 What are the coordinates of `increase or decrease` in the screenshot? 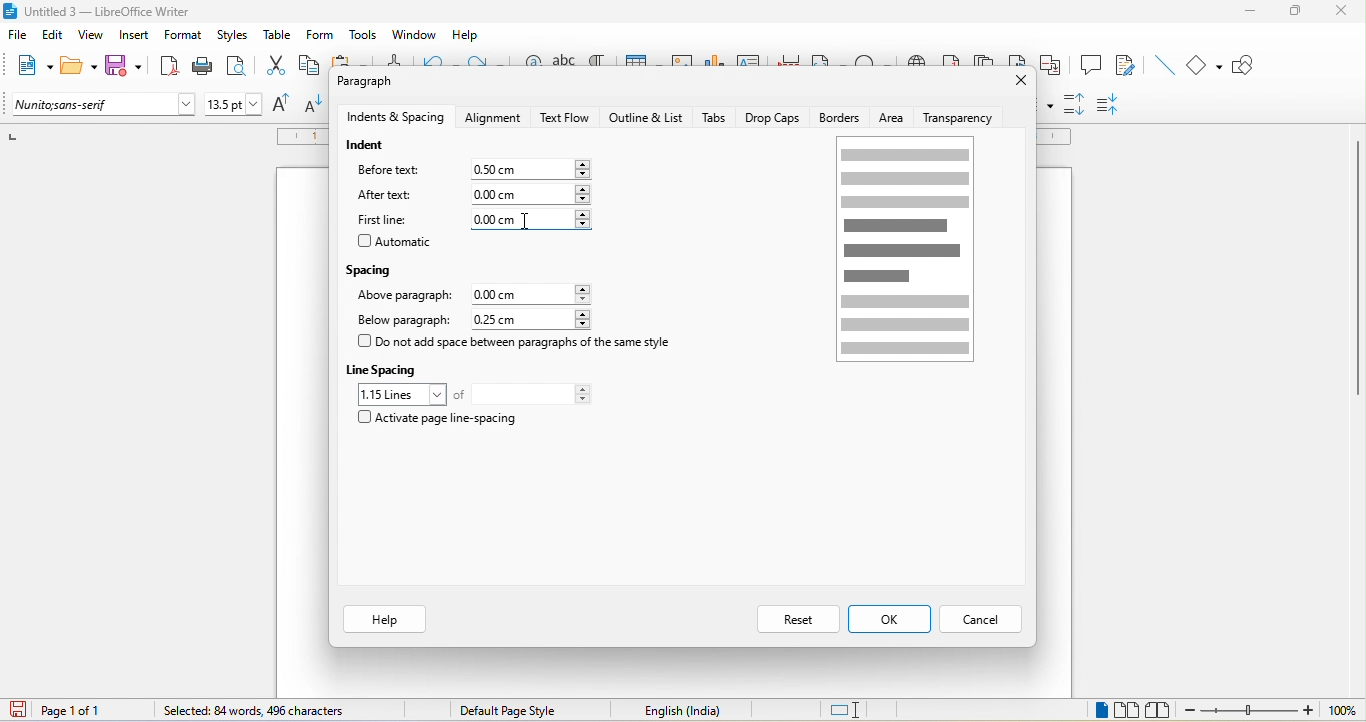 It's located at (582, 319).